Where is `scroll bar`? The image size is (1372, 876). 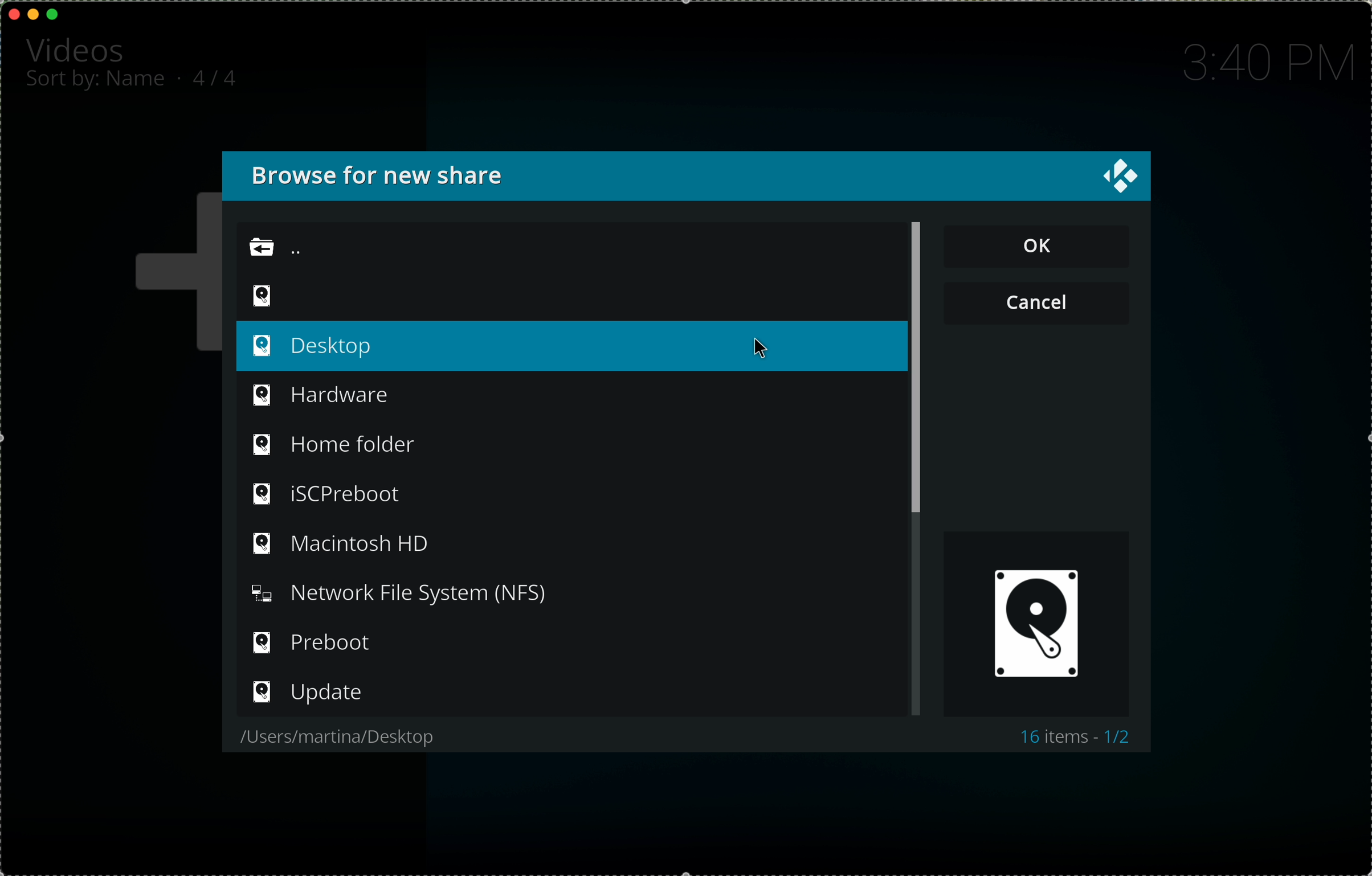 scroll bar is located at coordinates (920, 368).